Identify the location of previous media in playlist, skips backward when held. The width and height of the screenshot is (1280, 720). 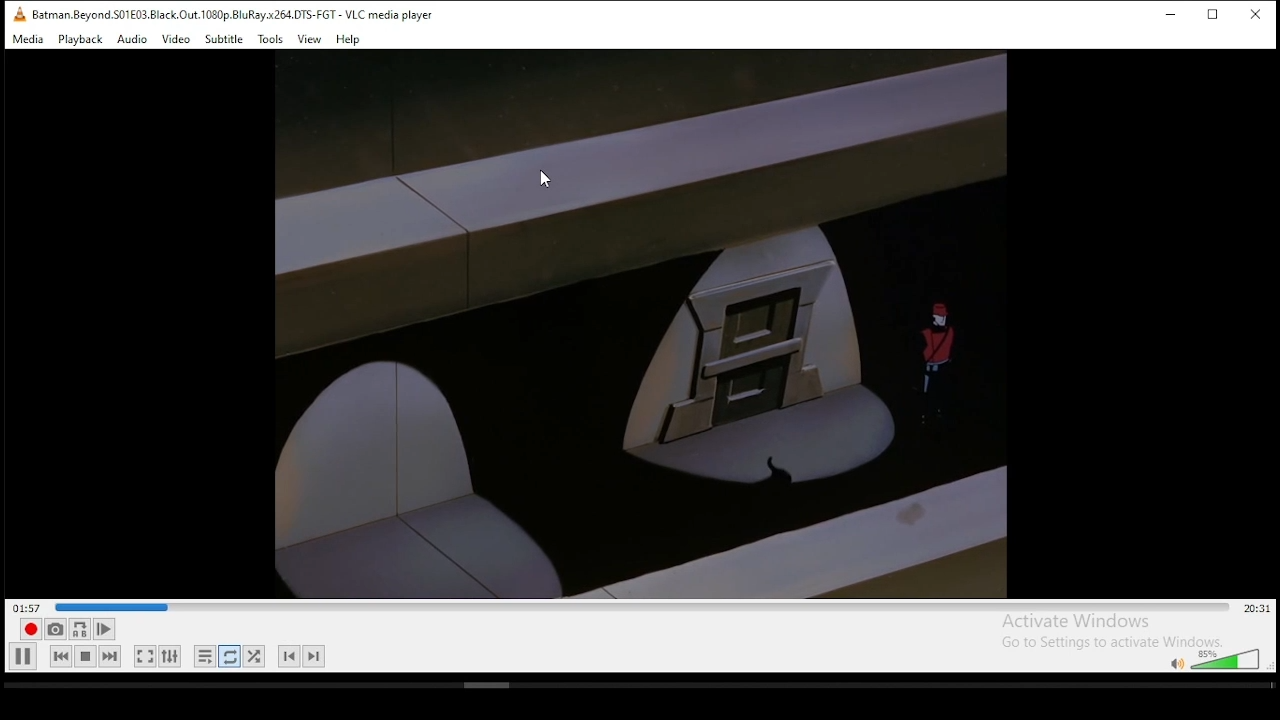
(61, 657).